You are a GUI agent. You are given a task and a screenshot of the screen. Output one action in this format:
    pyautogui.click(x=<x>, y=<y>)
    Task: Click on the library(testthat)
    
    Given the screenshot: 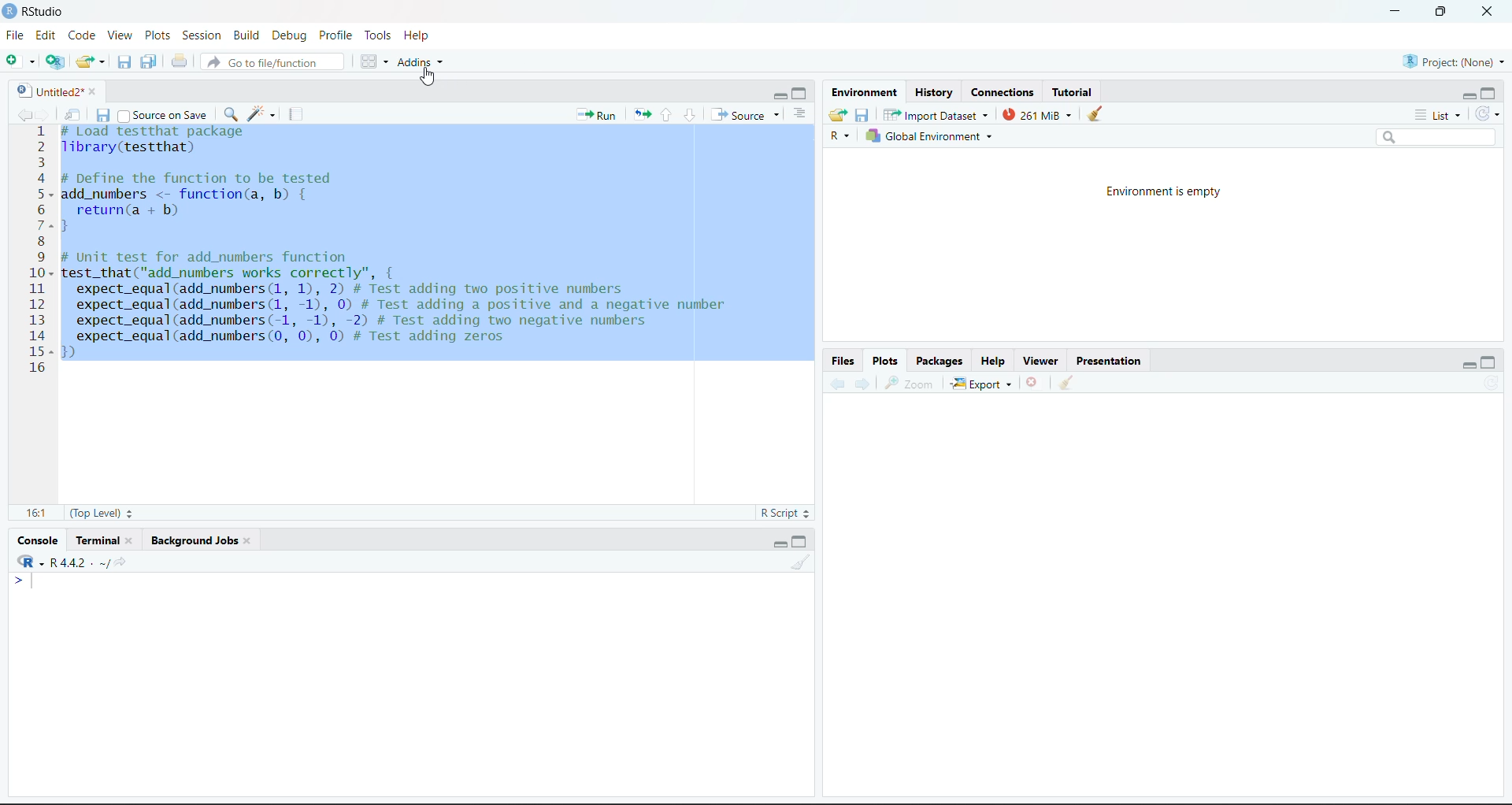 What is the action you would take?
    pyautogui.click(x=128, y=147)
    